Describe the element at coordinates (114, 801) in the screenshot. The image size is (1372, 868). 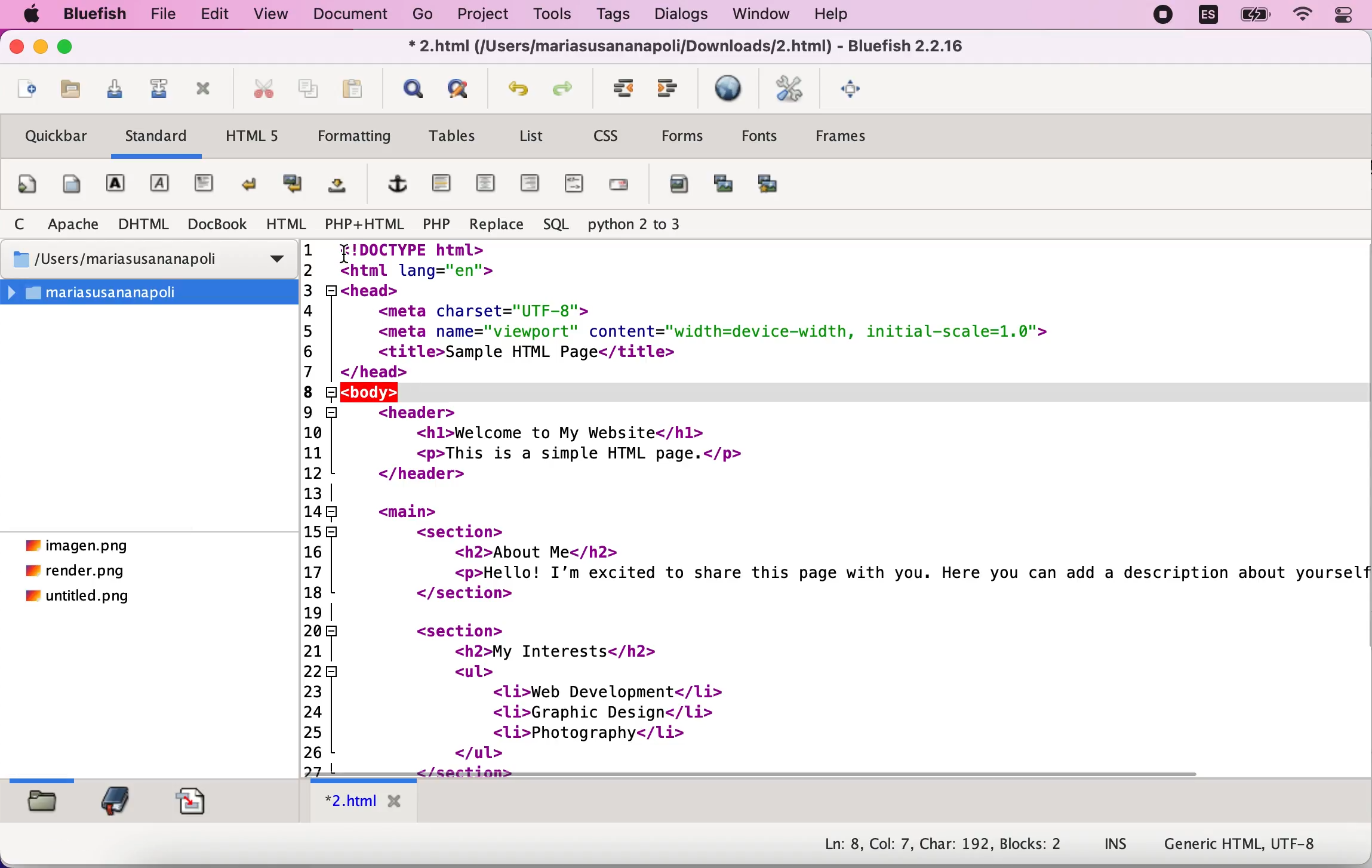
I see `bookmark` at that location.